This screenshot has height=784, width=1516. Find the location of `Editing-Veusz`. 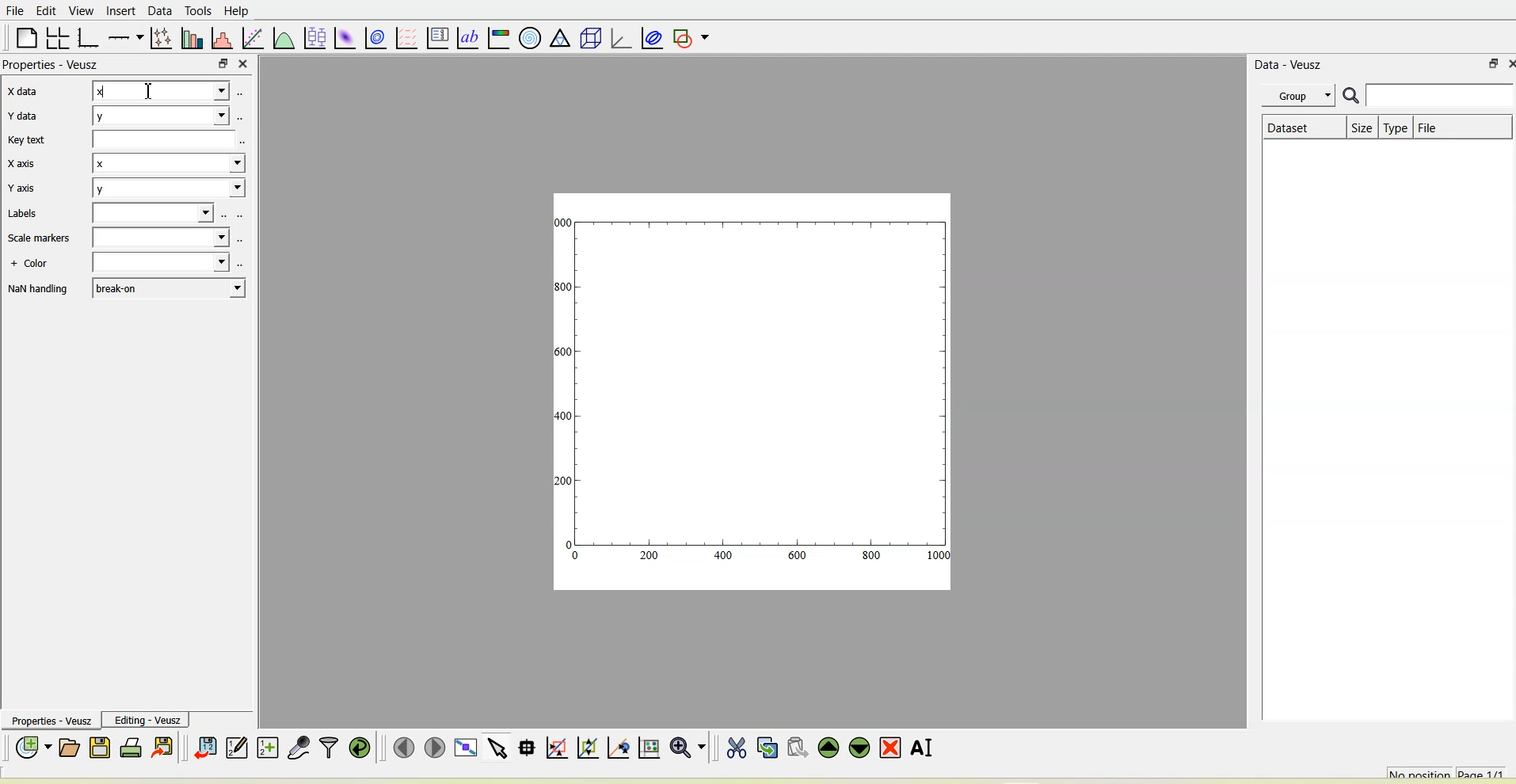

Editing-Veusz is located at coordinates (146, 720).